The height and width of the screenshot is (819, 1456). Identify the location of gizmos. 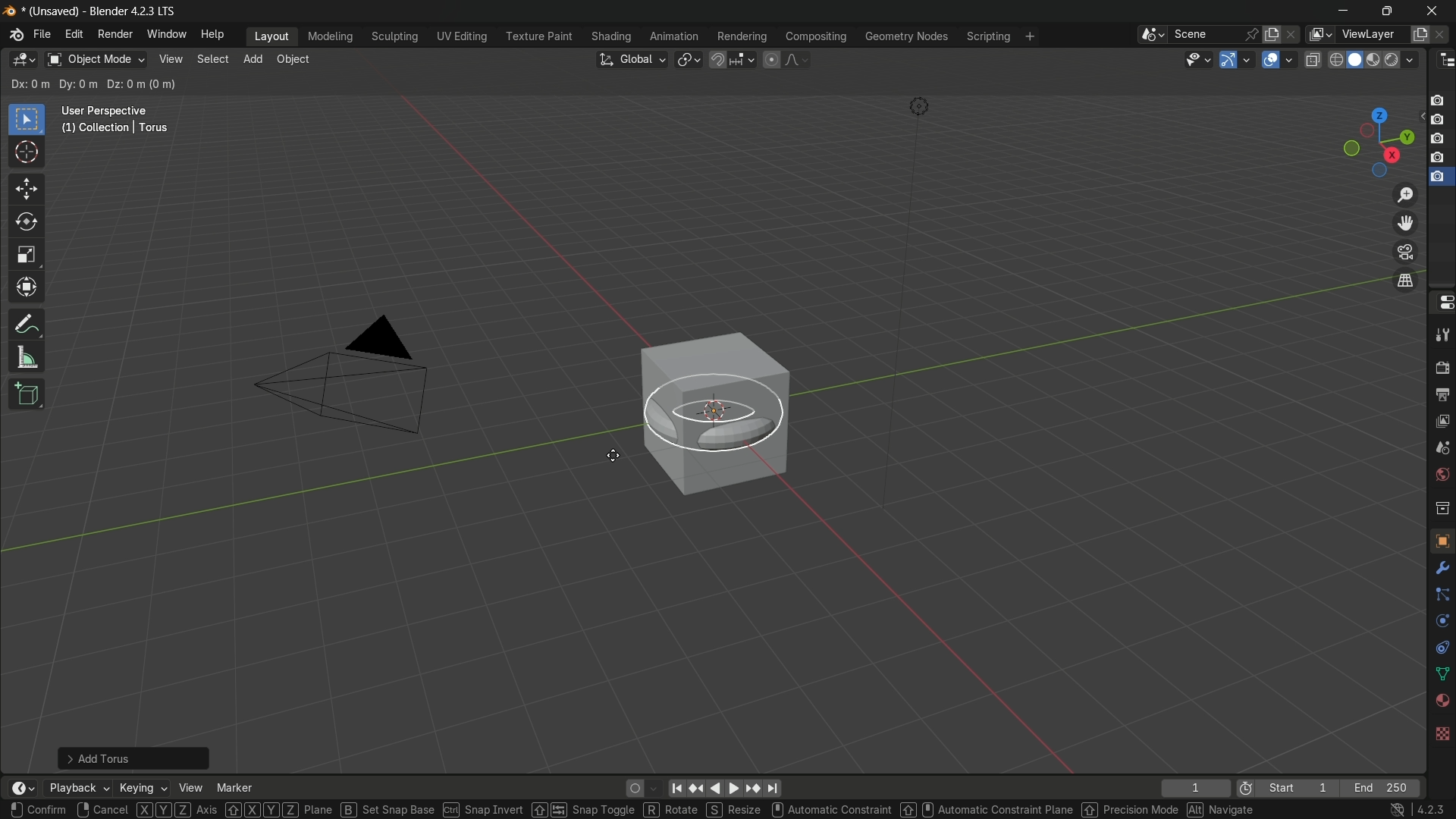
(1247, 58).